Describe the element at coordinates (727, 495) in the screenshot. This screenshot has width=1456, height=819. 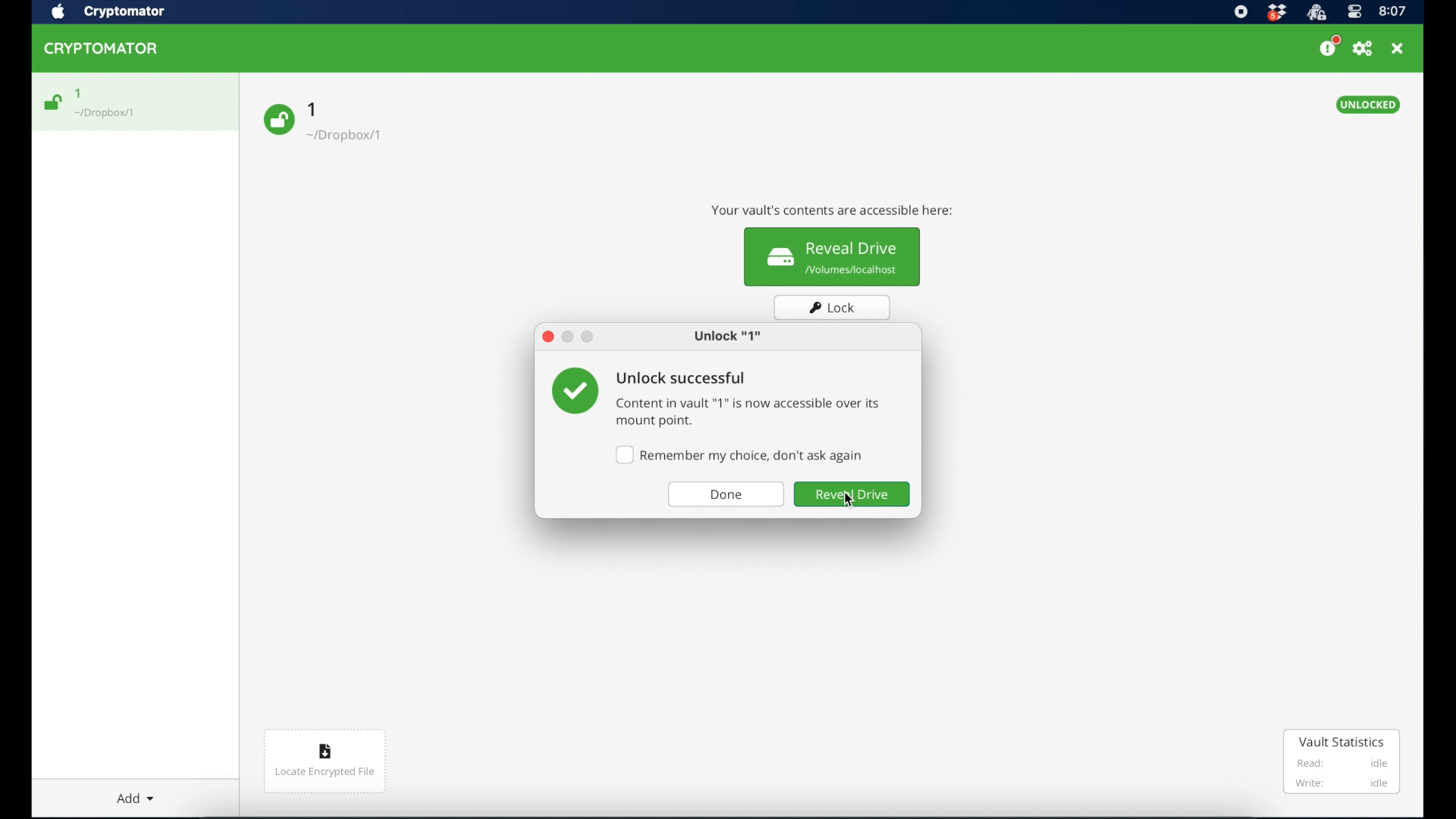
I see `done` at that location.